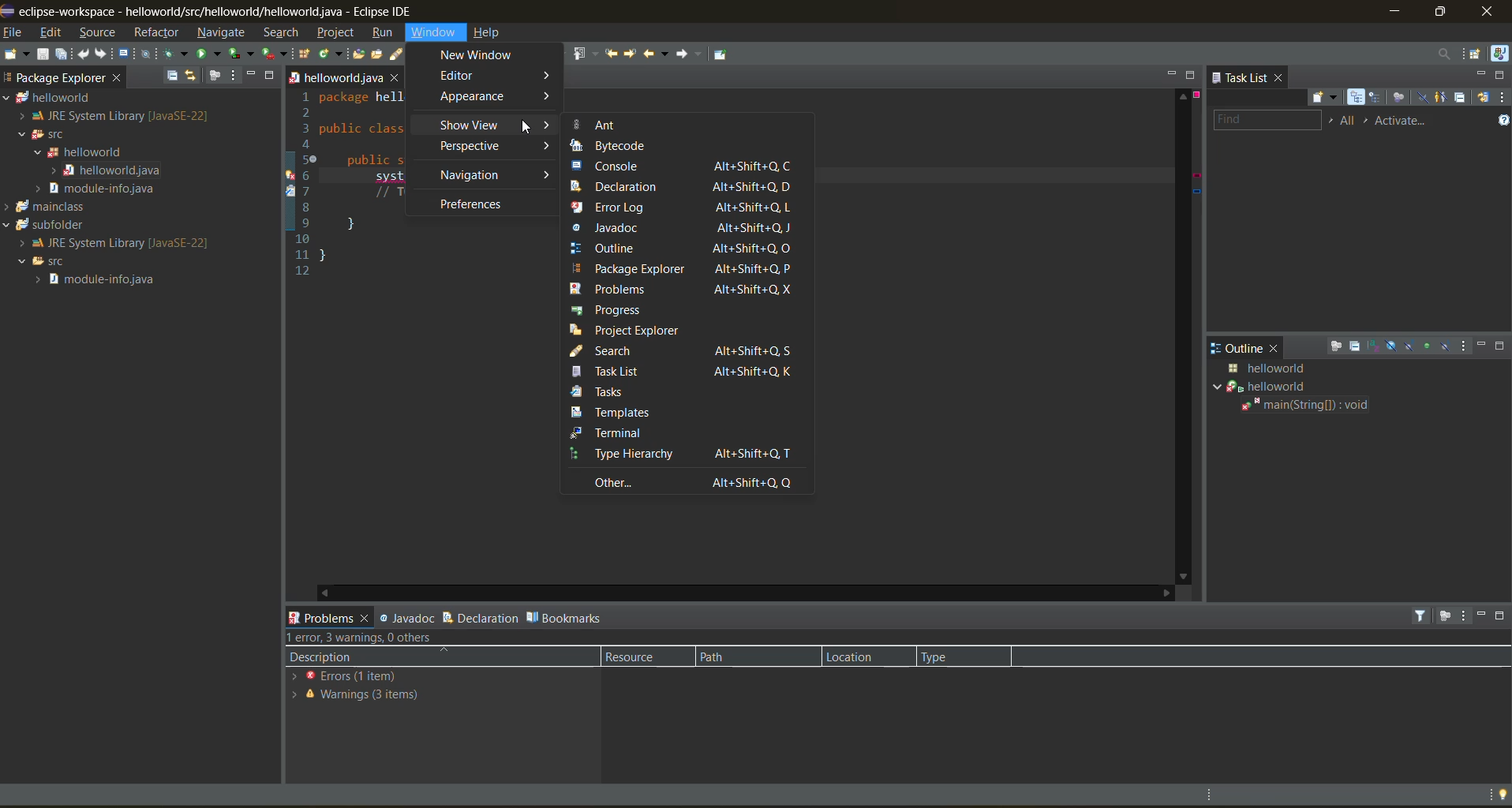  What do you see at coordinates (1503, 77) in the screenshot?
I see `maximize` at bounding box center [1503, 77].